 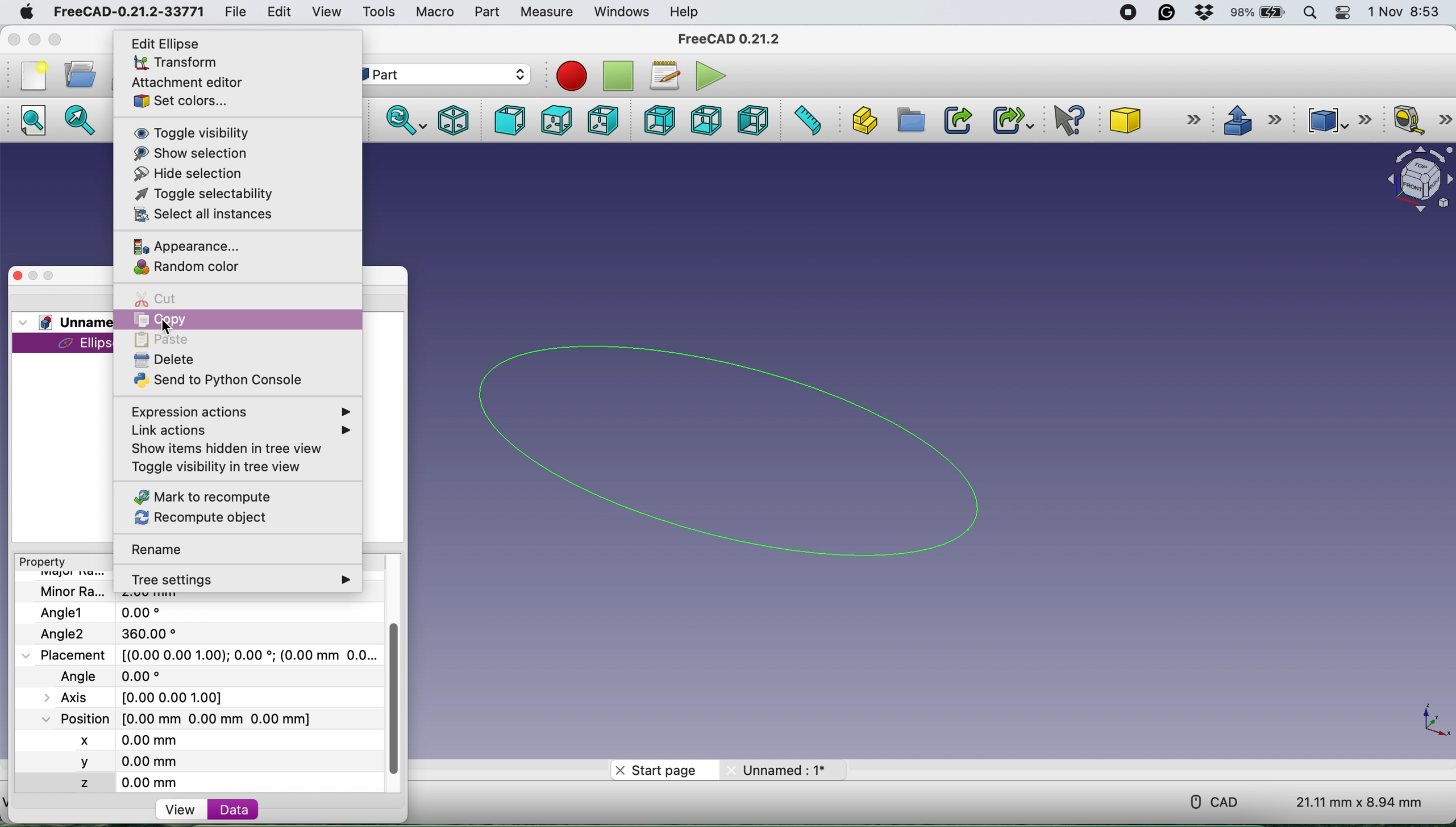 What do you see at coordinates (144, 695) in the screenshot?
I see `Axis` at bounding box center [144, 695].